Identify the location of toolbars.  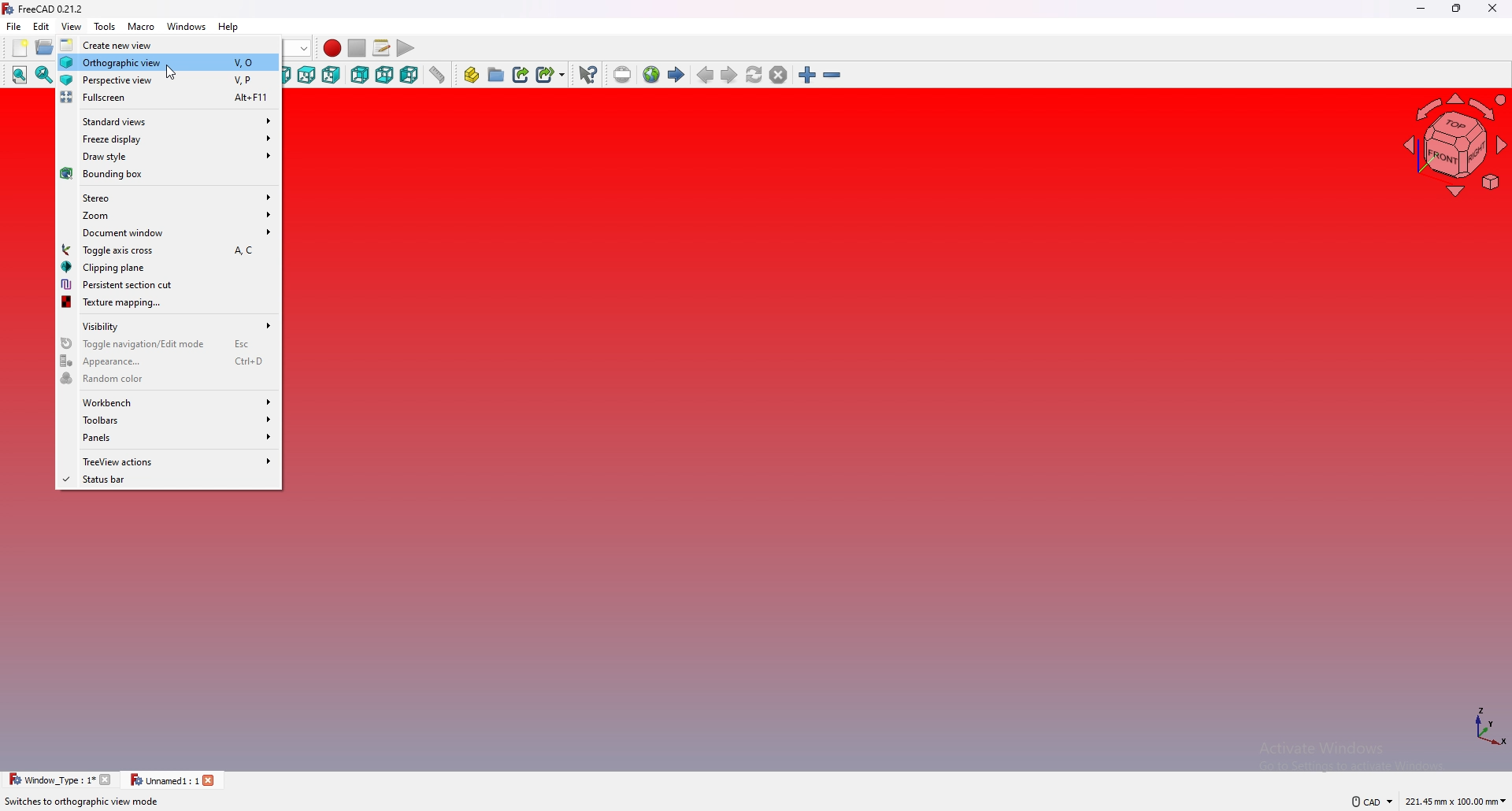
(169, 420).